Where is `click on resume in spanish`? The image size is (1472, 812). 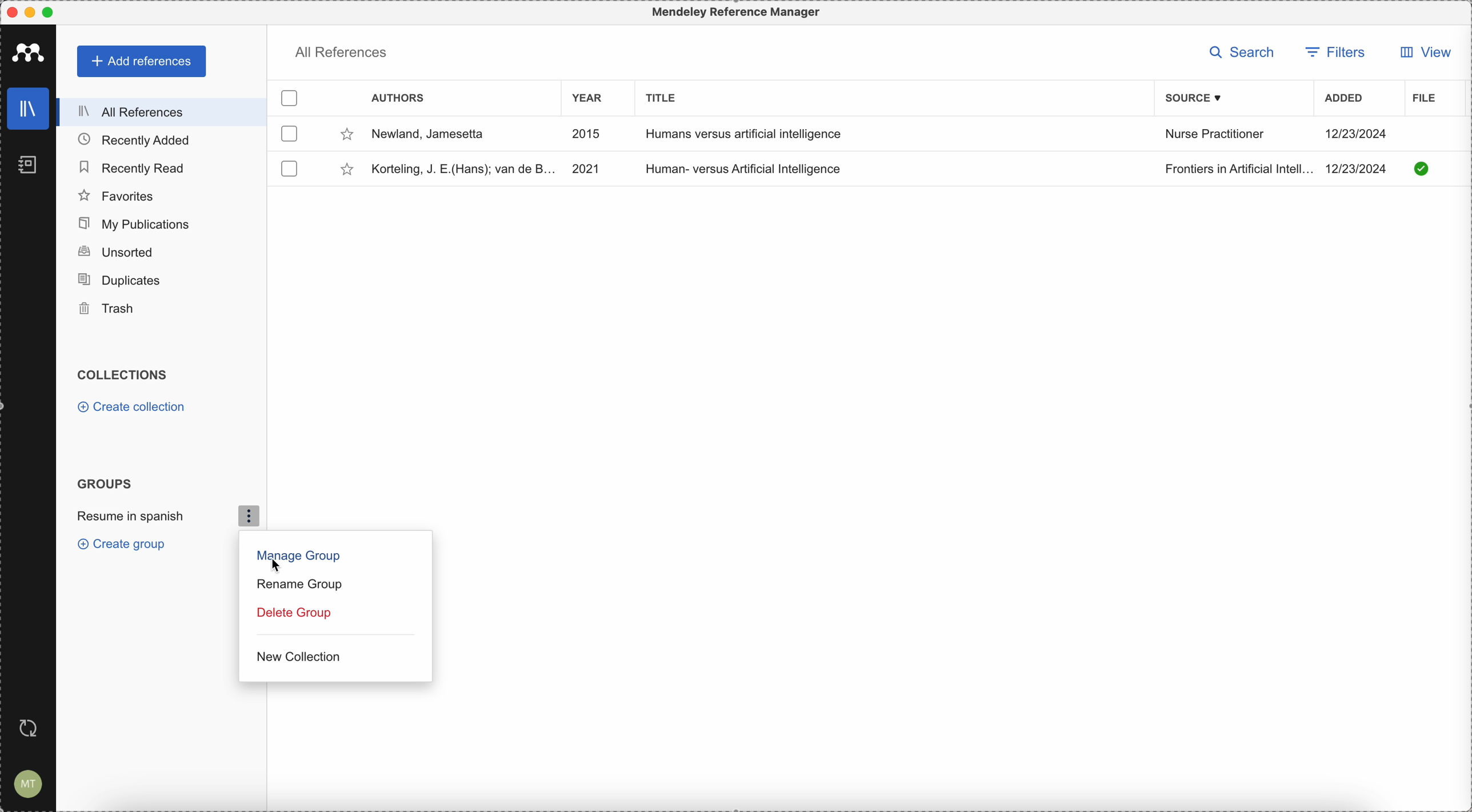 click on resume in spanish is located at coordinates (163, 517).